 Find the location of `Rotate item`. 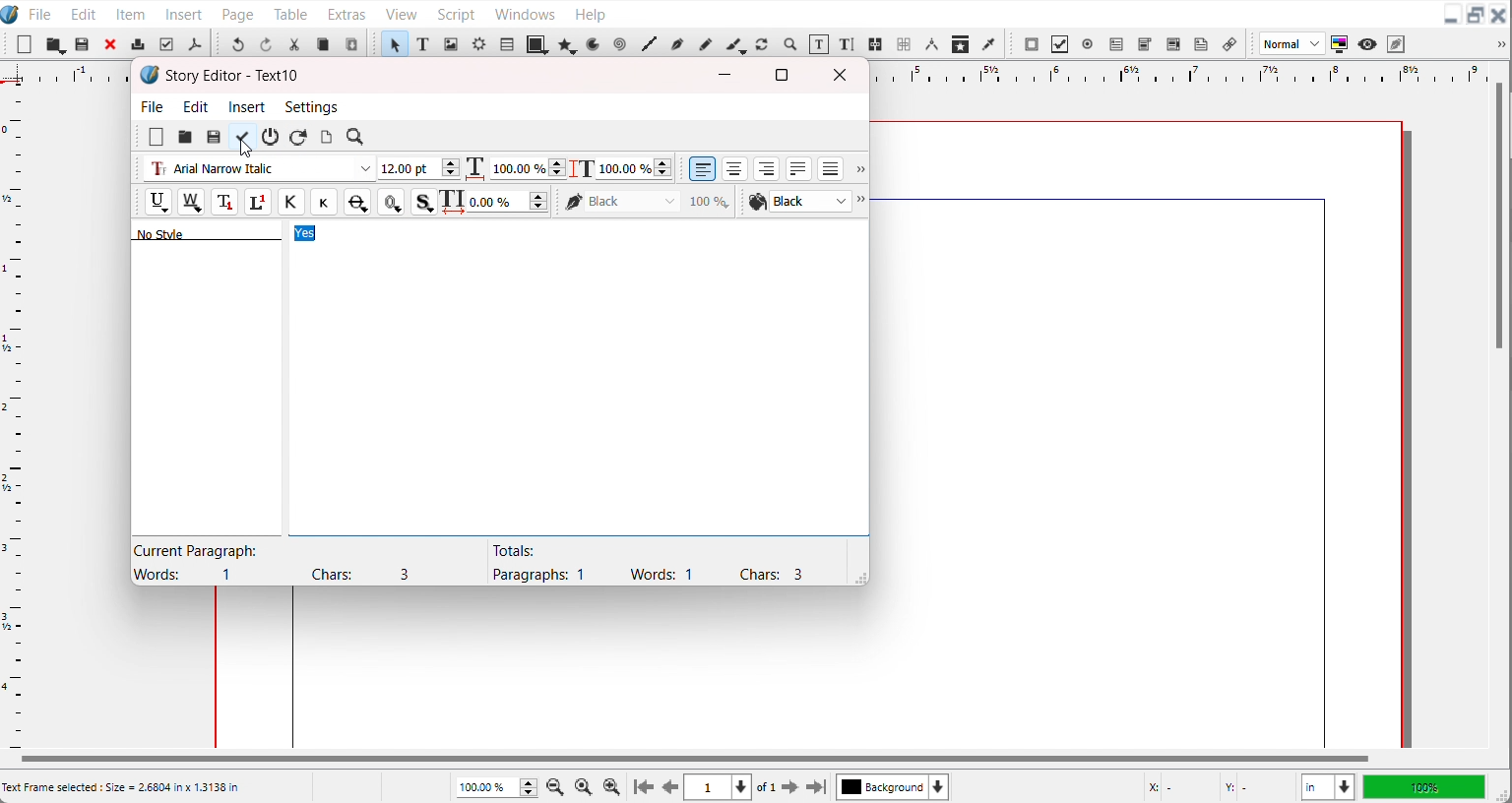

Rotate item is located at coordinates (762, 44).